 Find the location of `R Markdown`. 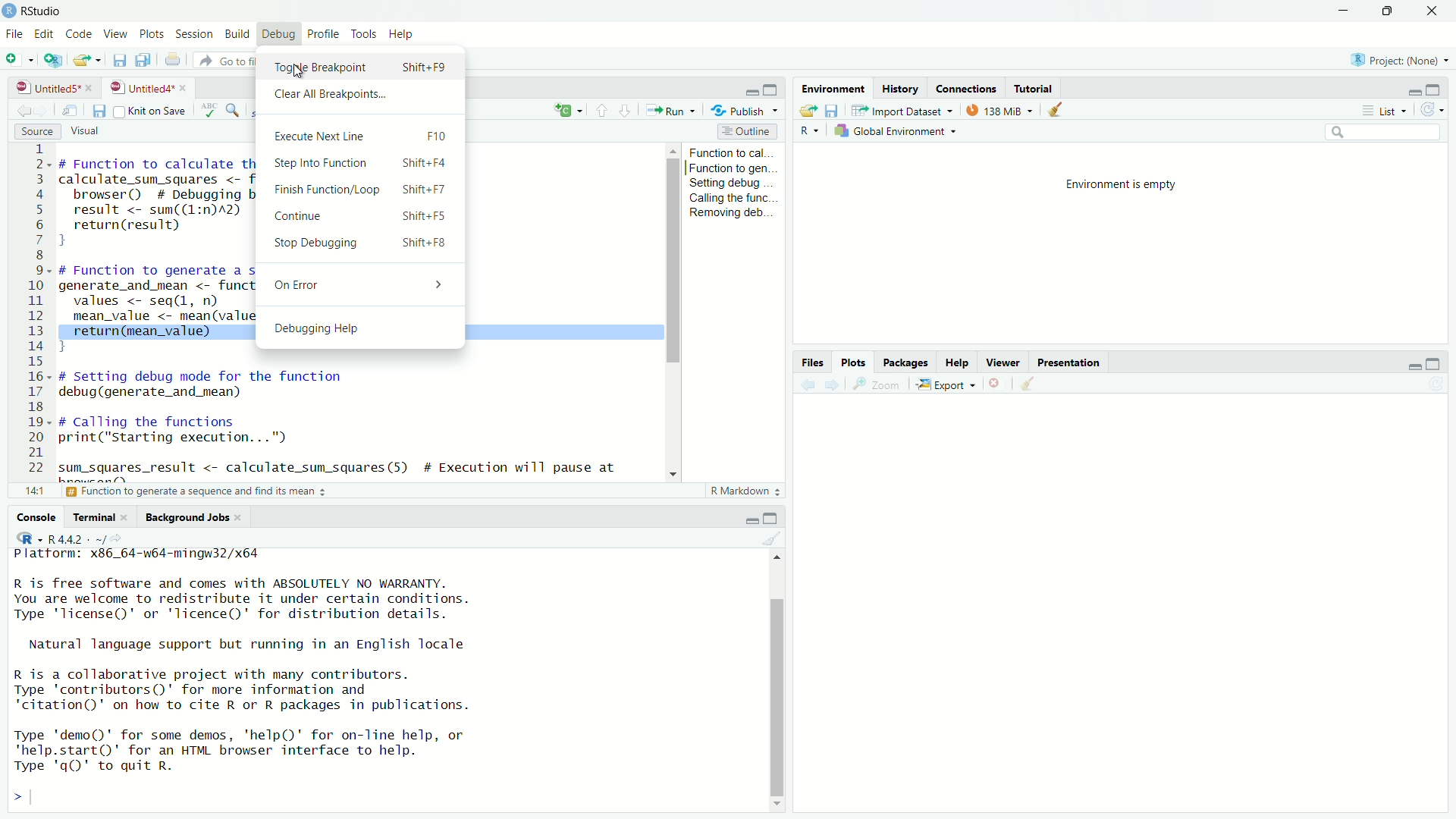

R Markdown is located at coordinates (741, 488).